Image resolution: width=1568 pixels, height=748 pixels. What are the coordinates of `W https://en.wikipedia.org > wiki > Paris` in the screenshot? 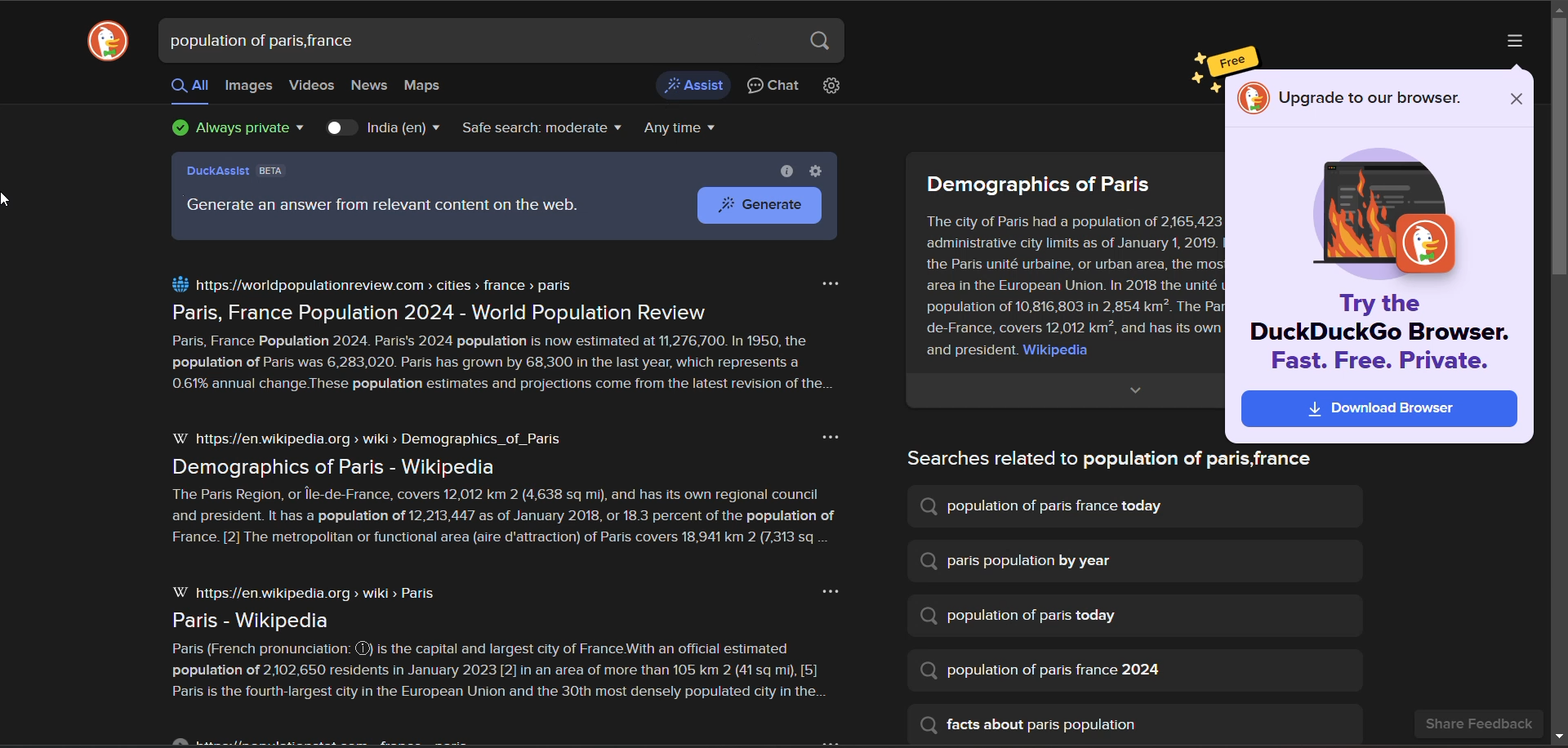 It's located at (312, 594).